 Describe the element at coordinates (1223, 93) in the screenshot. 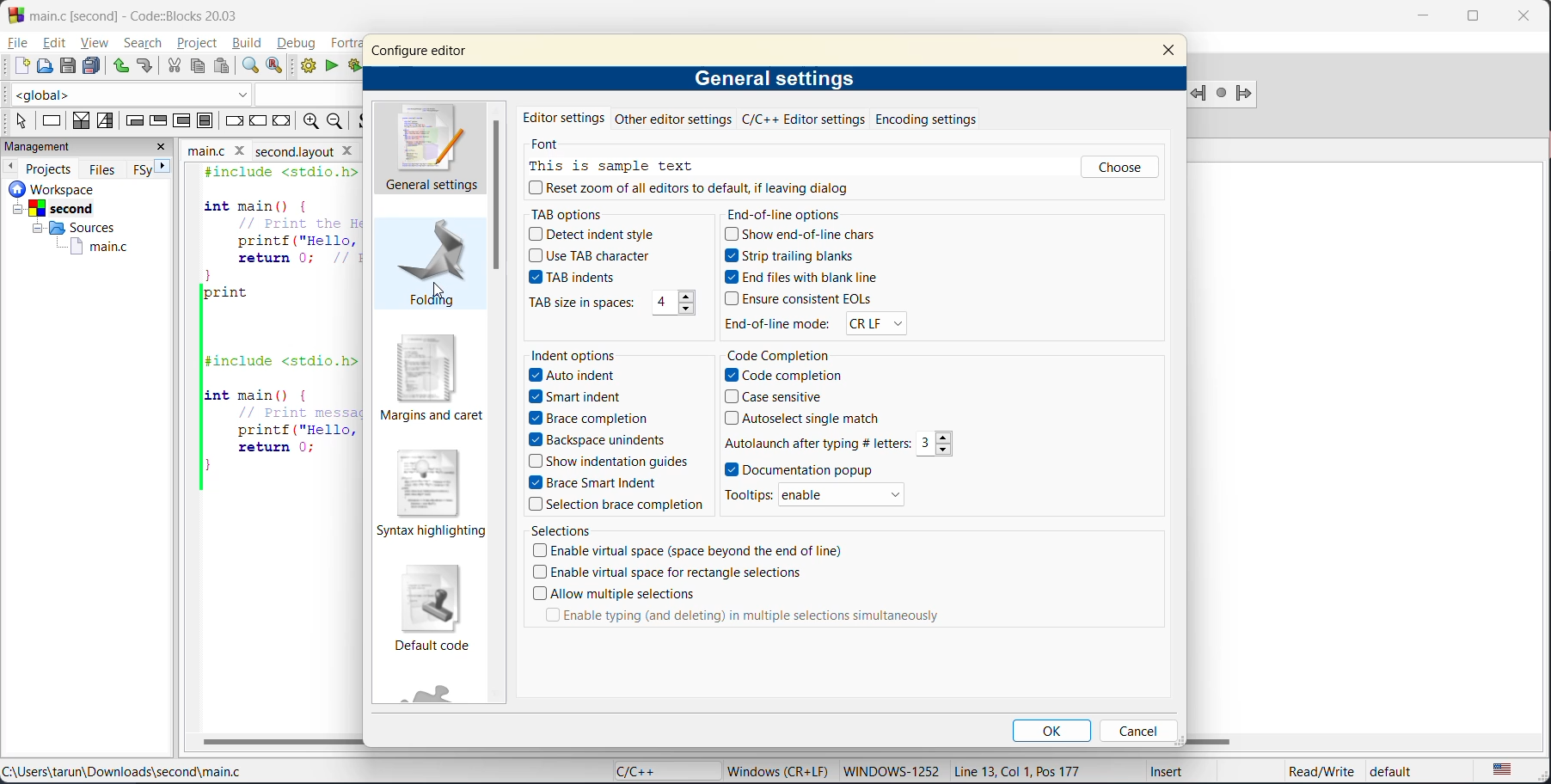

I see `last jump` at that location.